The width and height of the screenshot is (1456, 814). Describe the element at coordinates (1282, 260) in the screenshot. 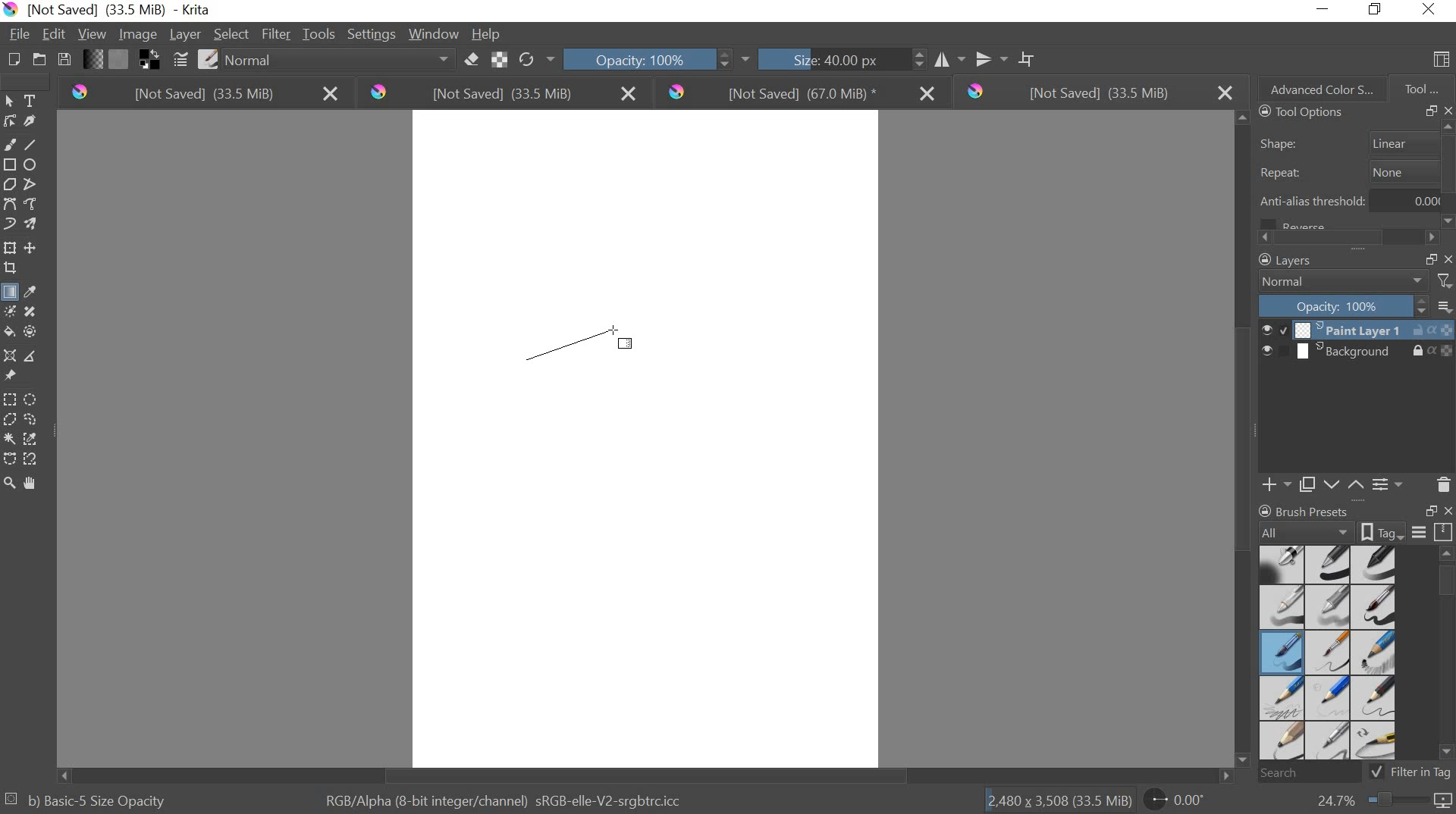

I see `LAYERS` at that location.